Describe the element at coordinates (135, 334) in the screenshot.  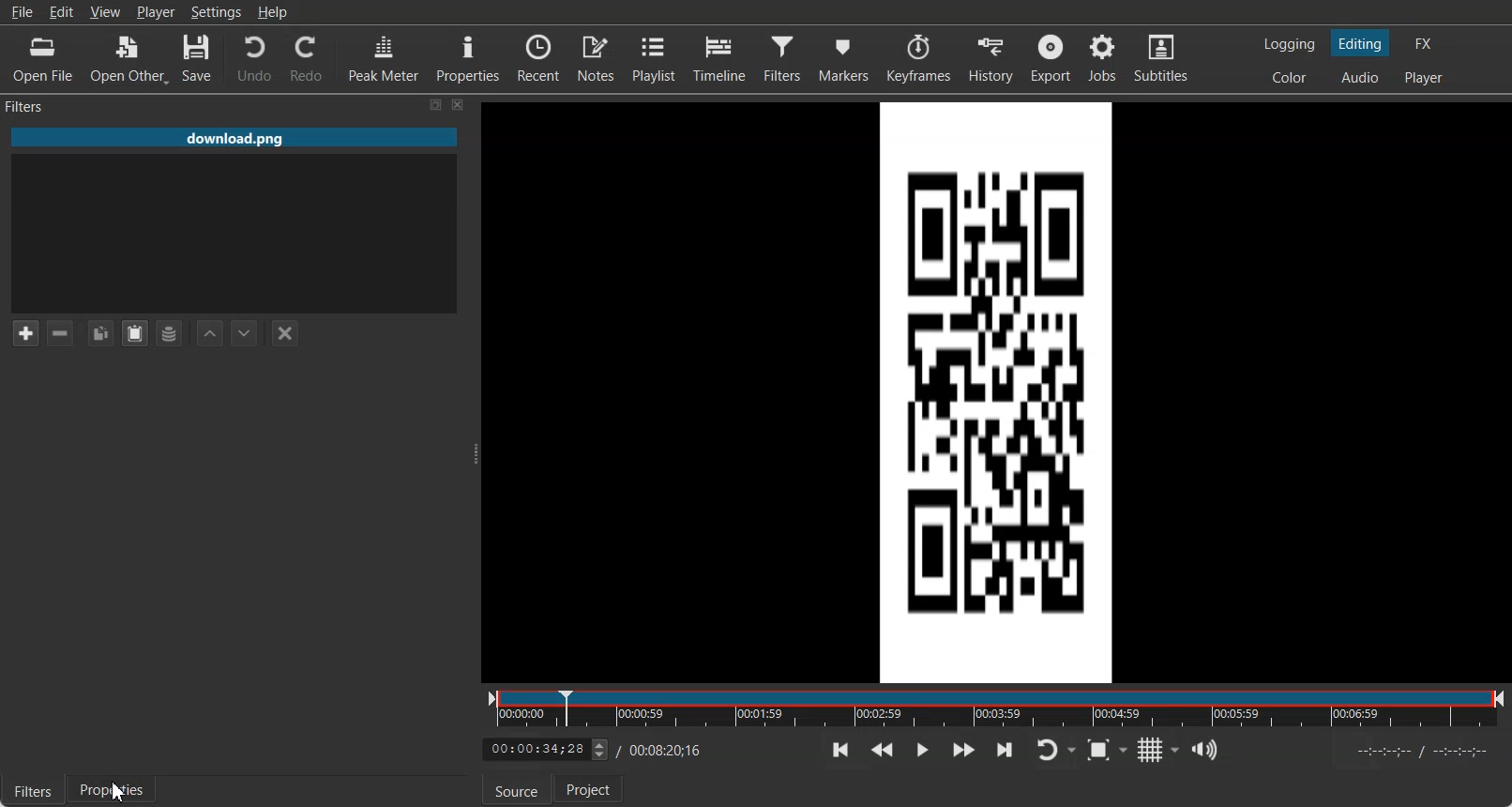
I see `Paste Filter` at that location.